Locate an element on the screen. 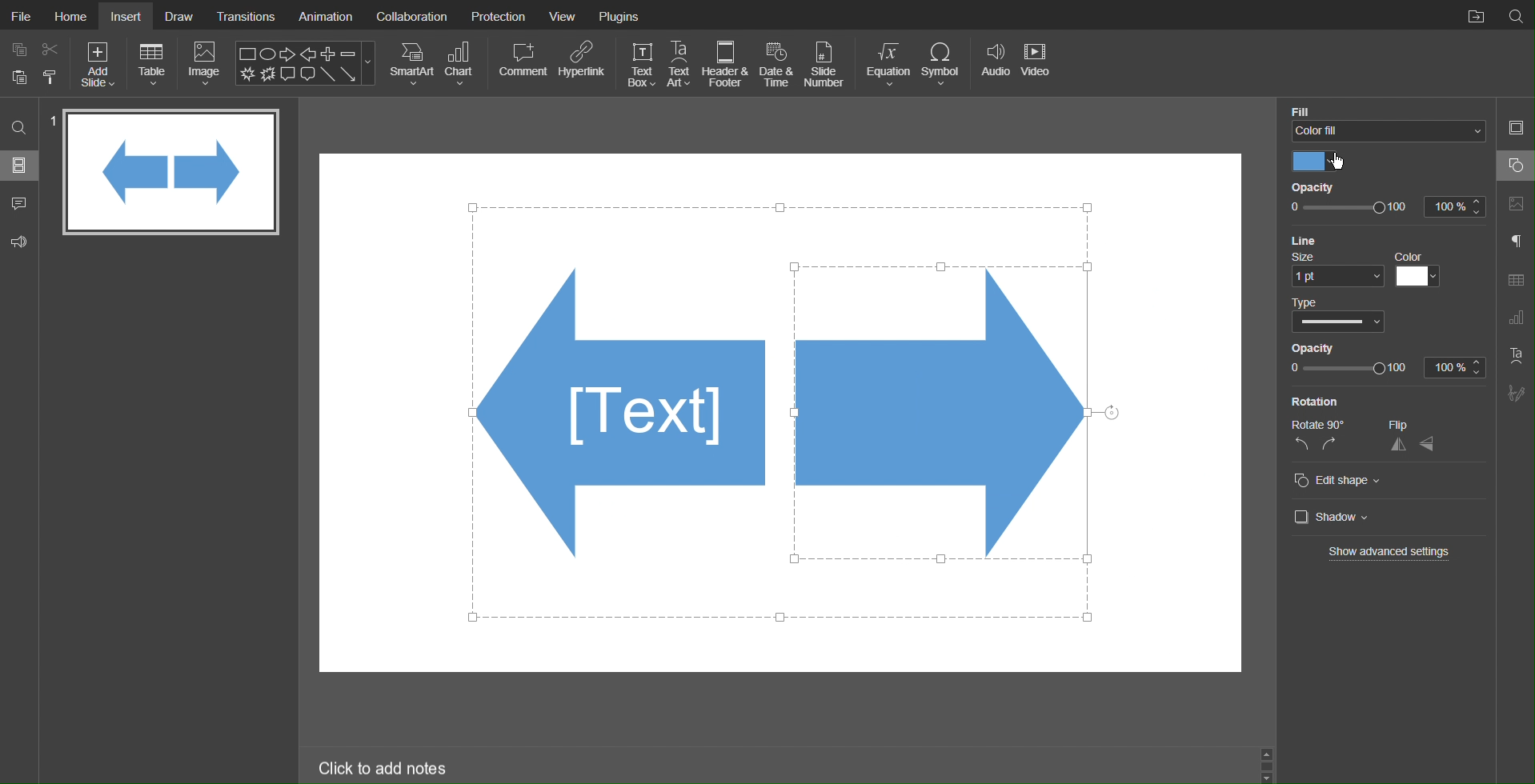 This screenshot has width=1535, height=784. rotate right 90 is located at coordinates (1332, 446).